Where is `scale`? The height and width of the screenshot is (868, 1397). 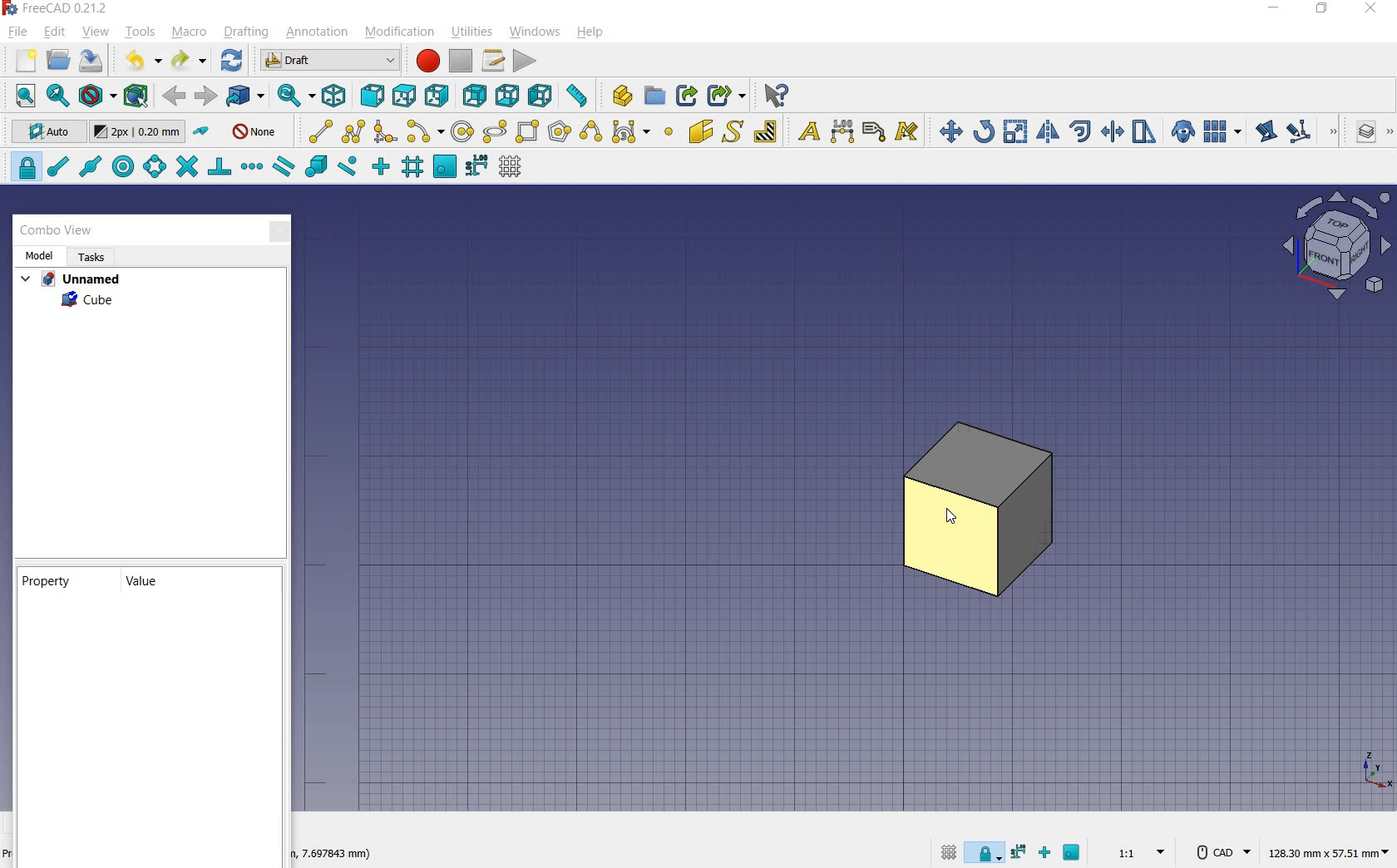 scale is located at coordinates (1016, 131).